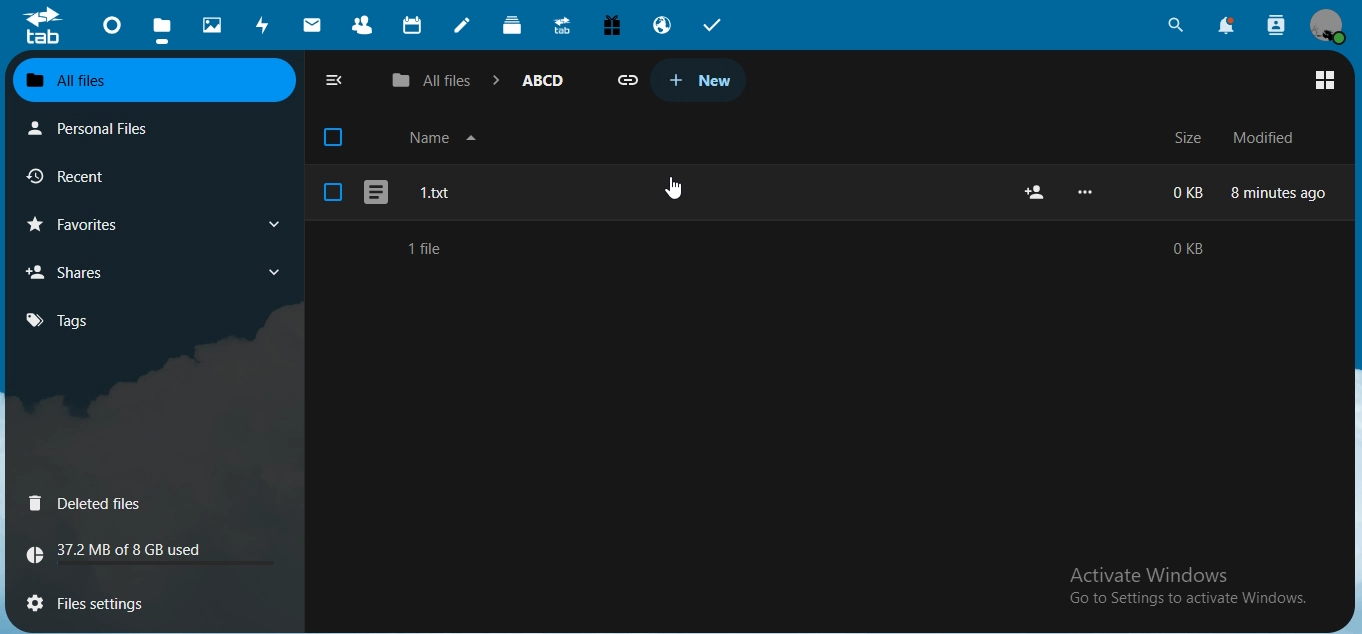 This screenshot has height=634, width=1362. I want to click on icon, so click(42, 26).